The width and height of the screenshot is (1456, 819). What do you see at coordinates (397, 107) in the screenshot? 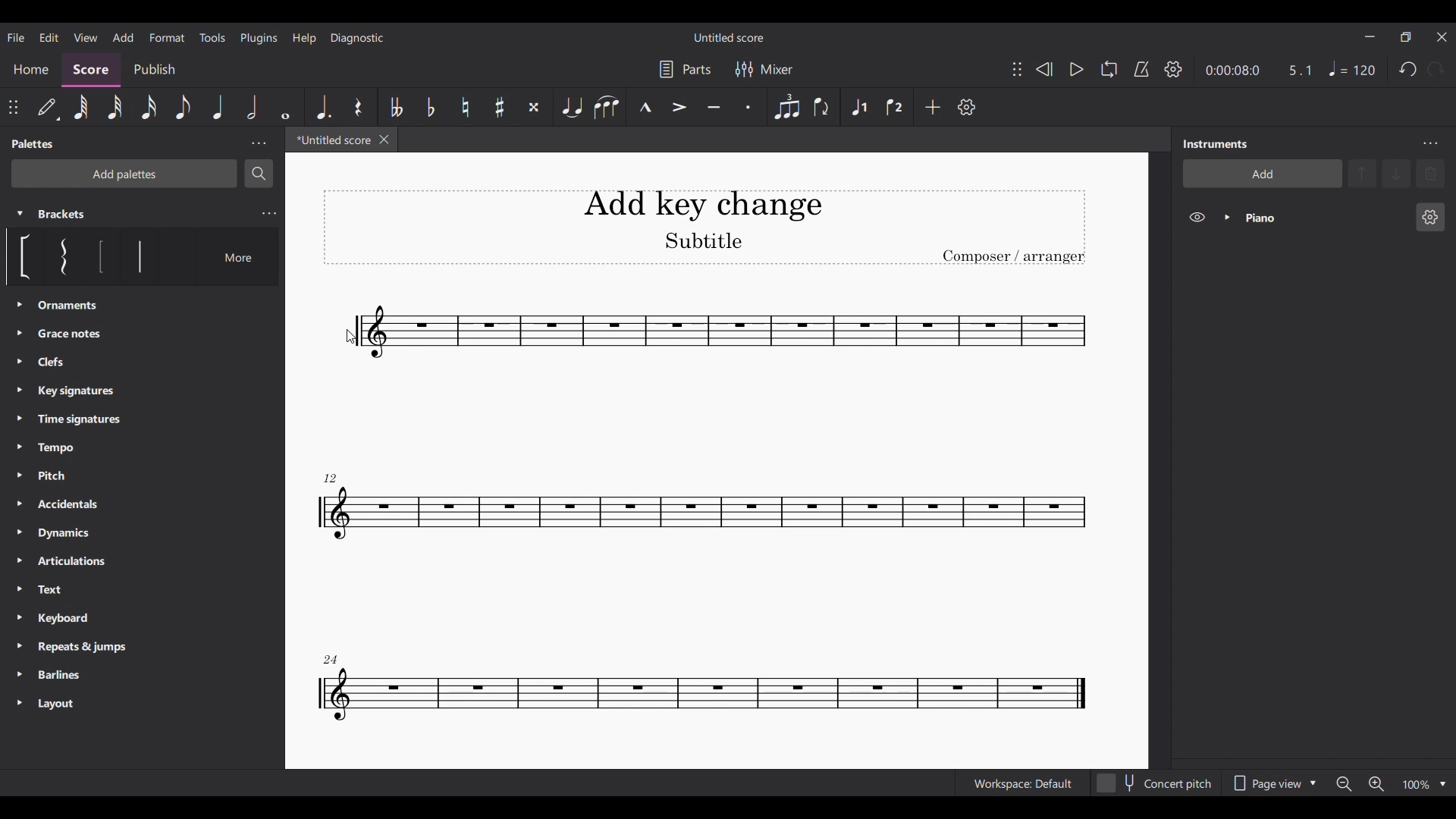
I see `Toggle double flat` at bounding box center [397, 107].